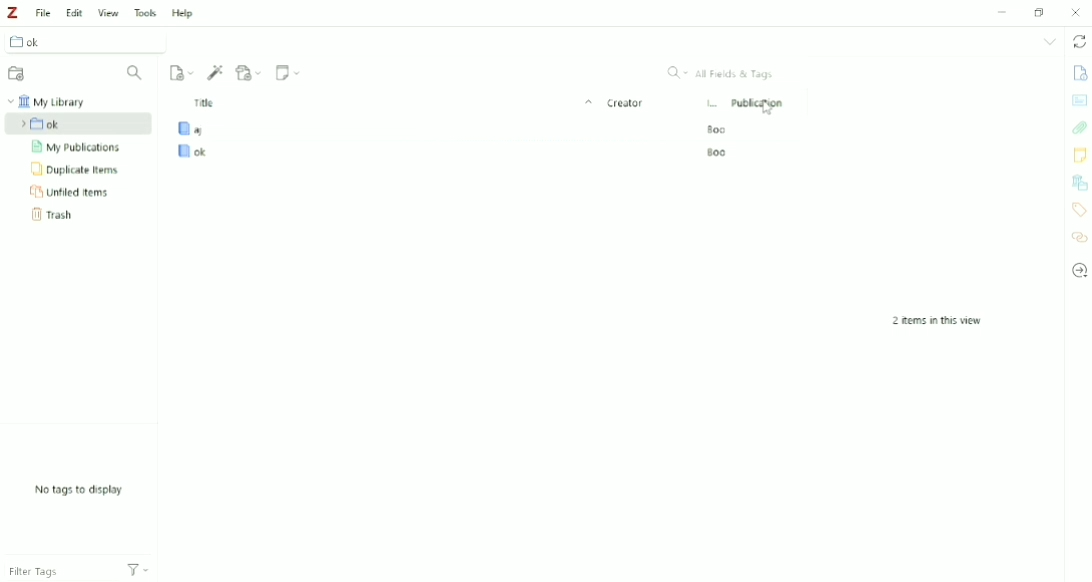 This screenshot has height=582, width=1092. What do you see at coordinates (1080, 182) in the screenshot?
I see `Libraries and collections` at bounding box center [1080, 182].